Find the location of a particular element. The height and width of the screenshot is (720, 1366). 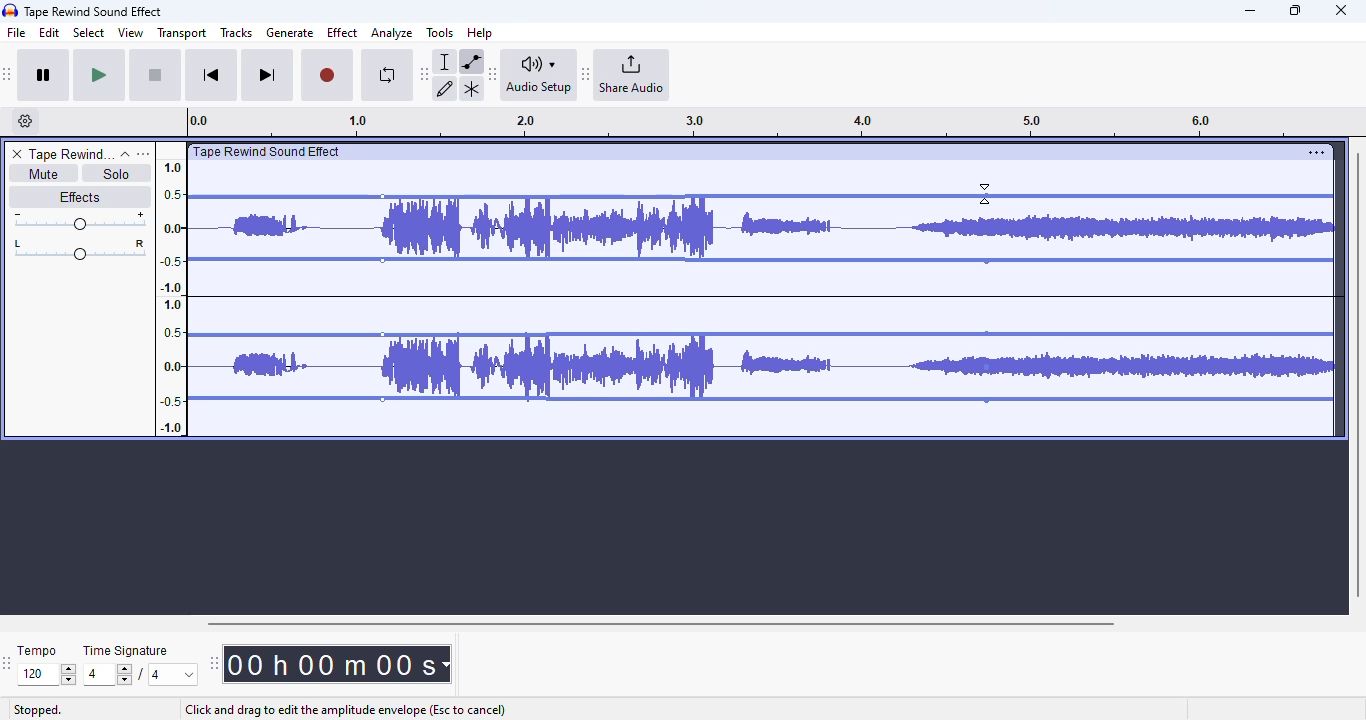

Scale to measure sound intensity is located at coordinates (172, 296).